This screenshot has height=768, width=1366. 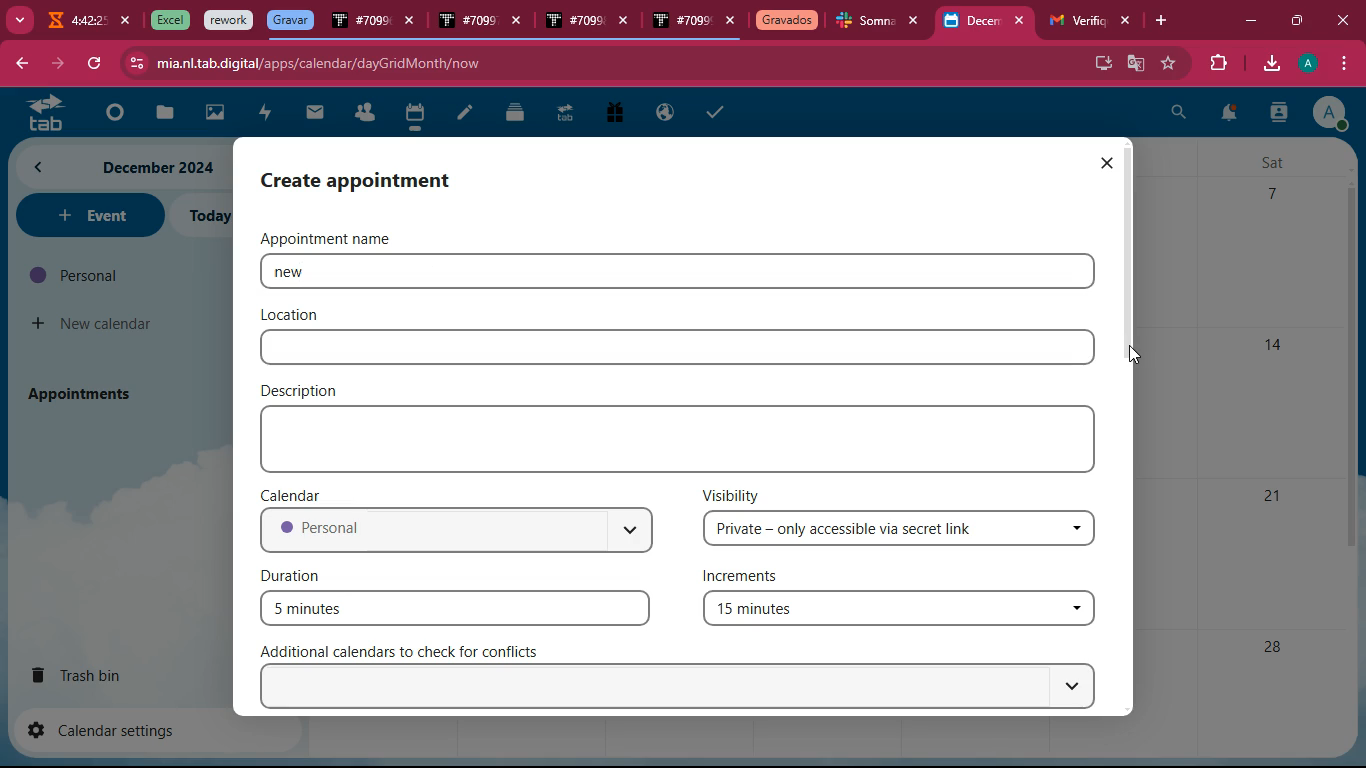 What do you see at coordinates (681, 23) in the screenshot?
I see `tab` at bounding box center [681, 23].